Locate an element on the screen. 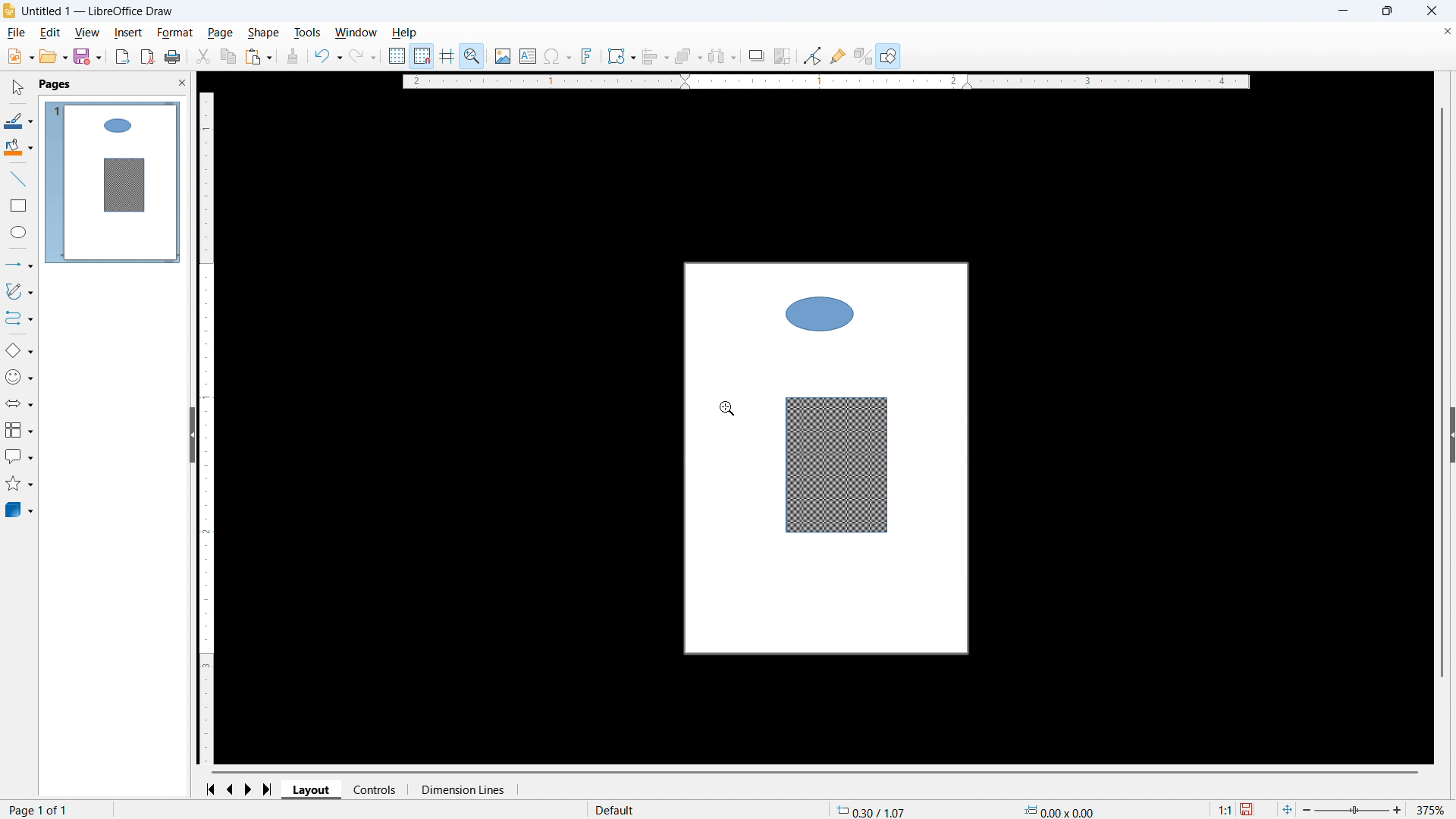 This screenshot has width=1456, height=819. Symbol shapes  is located at coordinates (20, 378).